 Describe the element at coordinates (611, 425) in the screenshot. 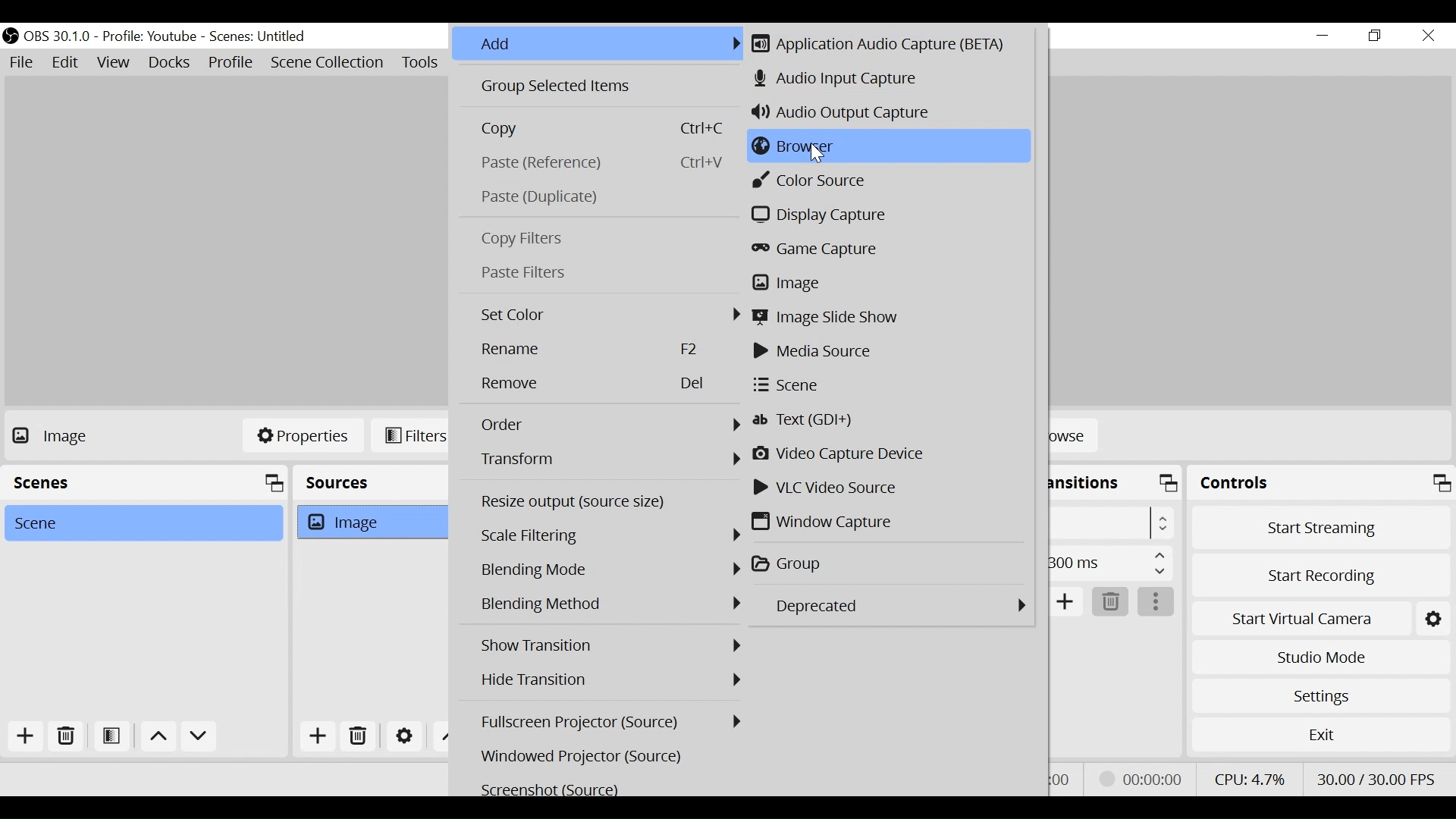

I see `Order` at that location.